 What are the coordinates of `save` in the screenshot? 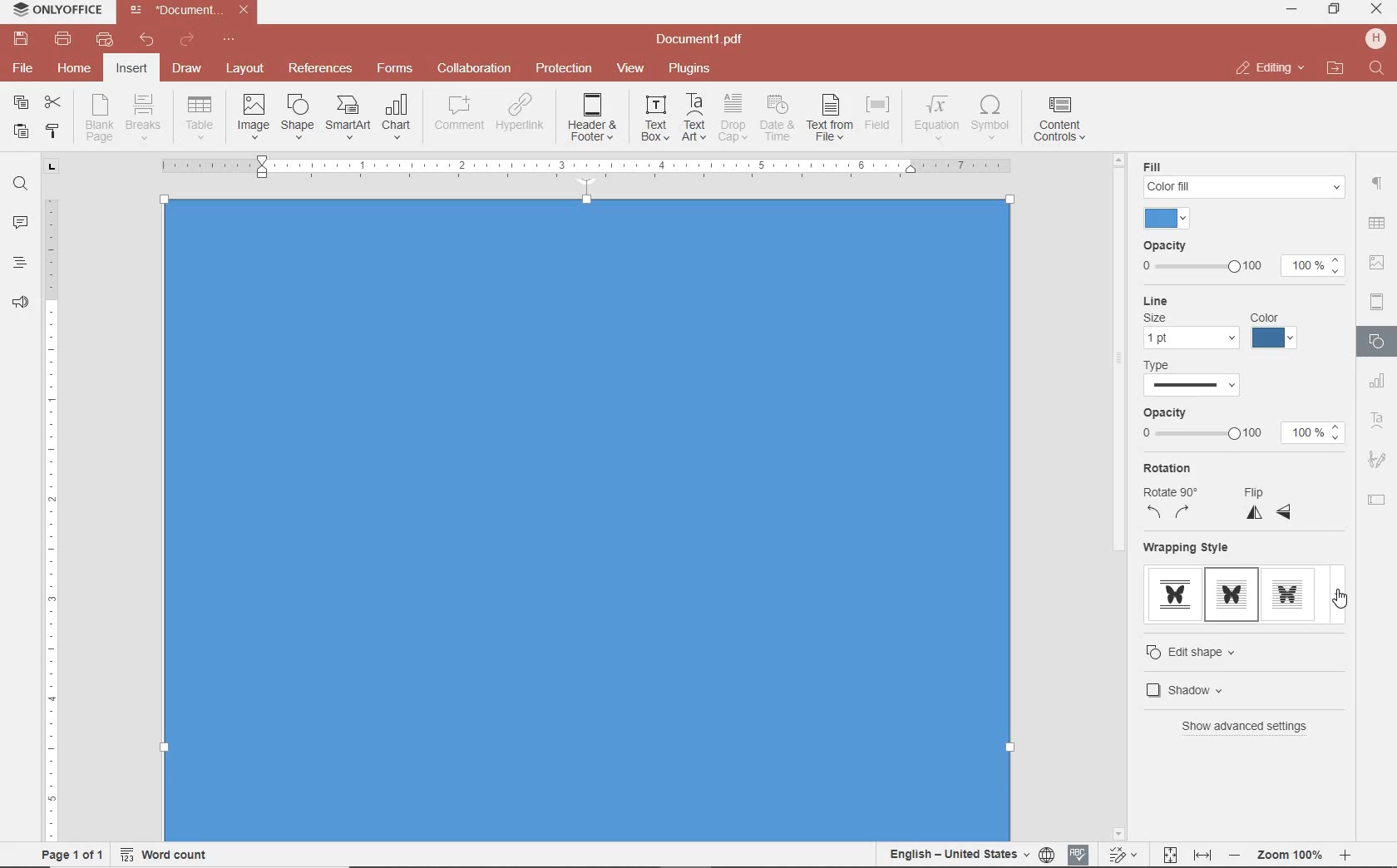 It's located at (19, 39).